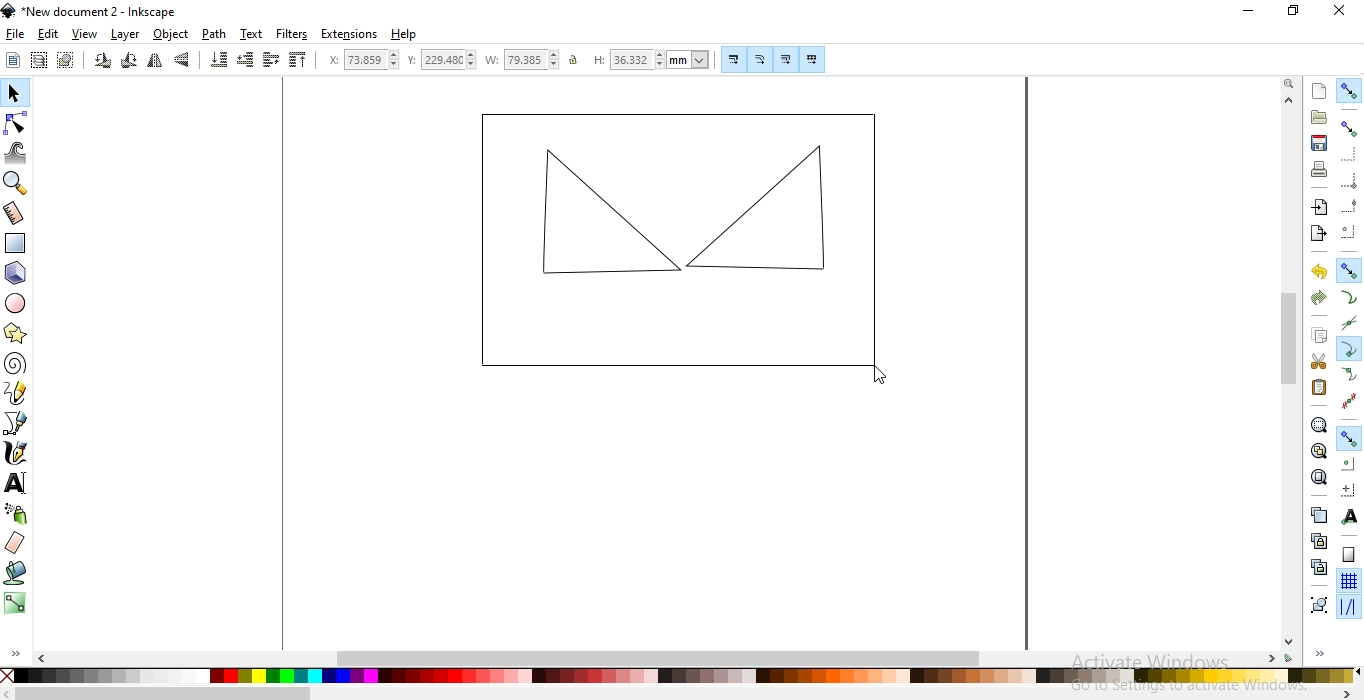  Describe the element at coordinates (760, 60) in the screenshot. I see `when scaling rectangles, scale the radii of rounded corners` at that location.